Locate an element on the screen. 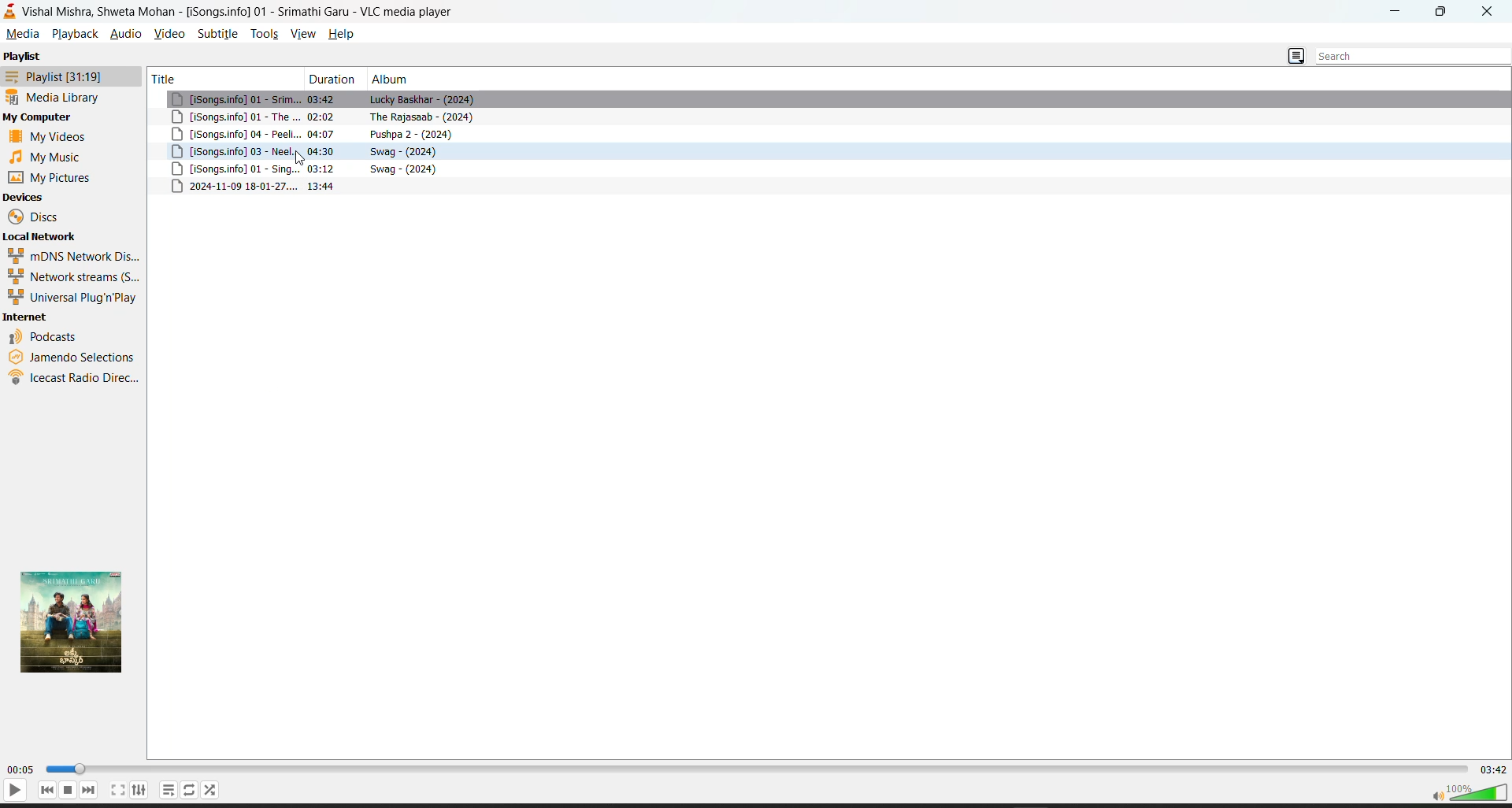 This screenshot has height=808, width=1512. play is located at coordinates (15, 790).